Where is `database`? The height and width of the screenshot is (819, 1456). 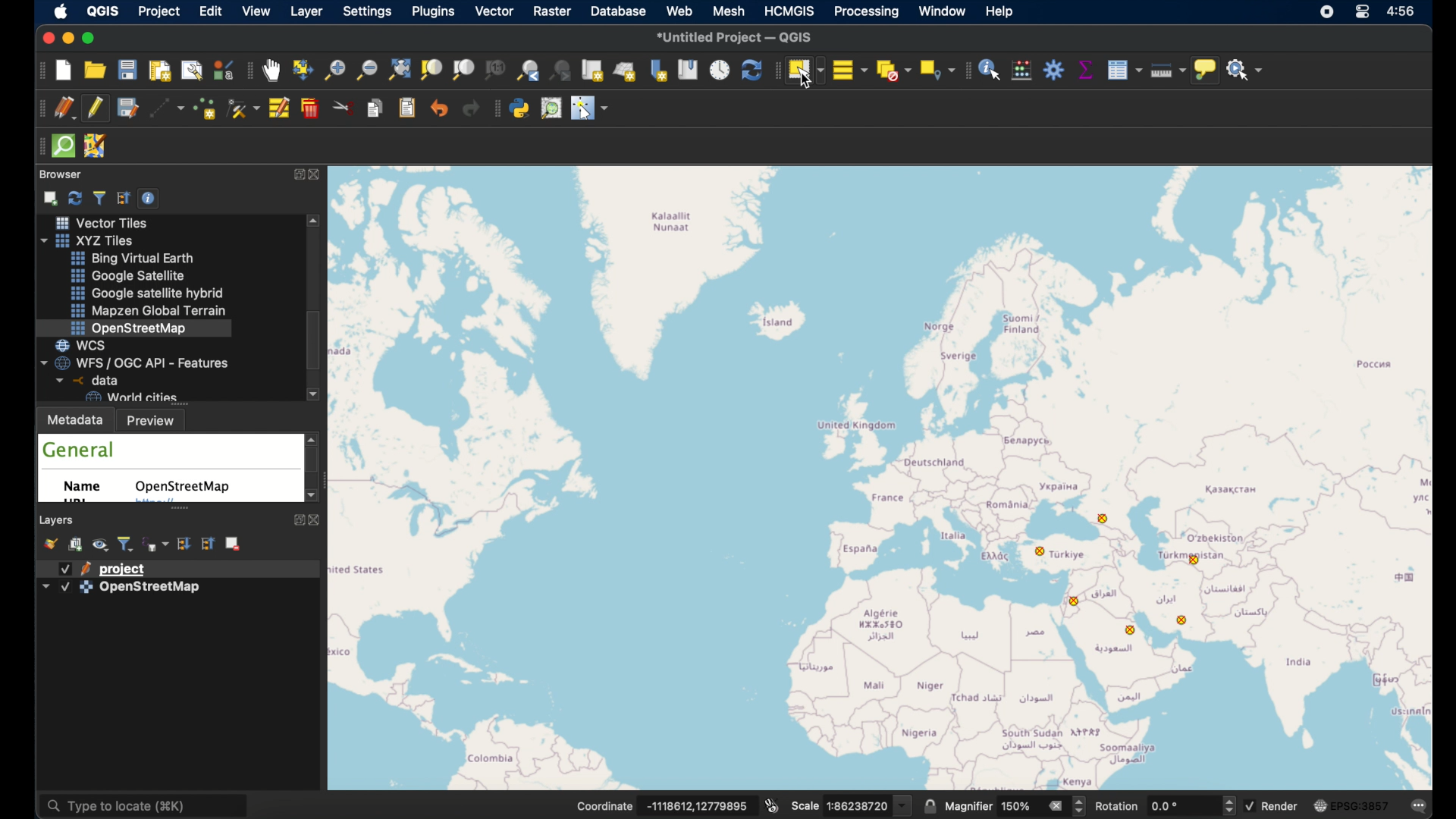 database is located at coordinates (617, 11).